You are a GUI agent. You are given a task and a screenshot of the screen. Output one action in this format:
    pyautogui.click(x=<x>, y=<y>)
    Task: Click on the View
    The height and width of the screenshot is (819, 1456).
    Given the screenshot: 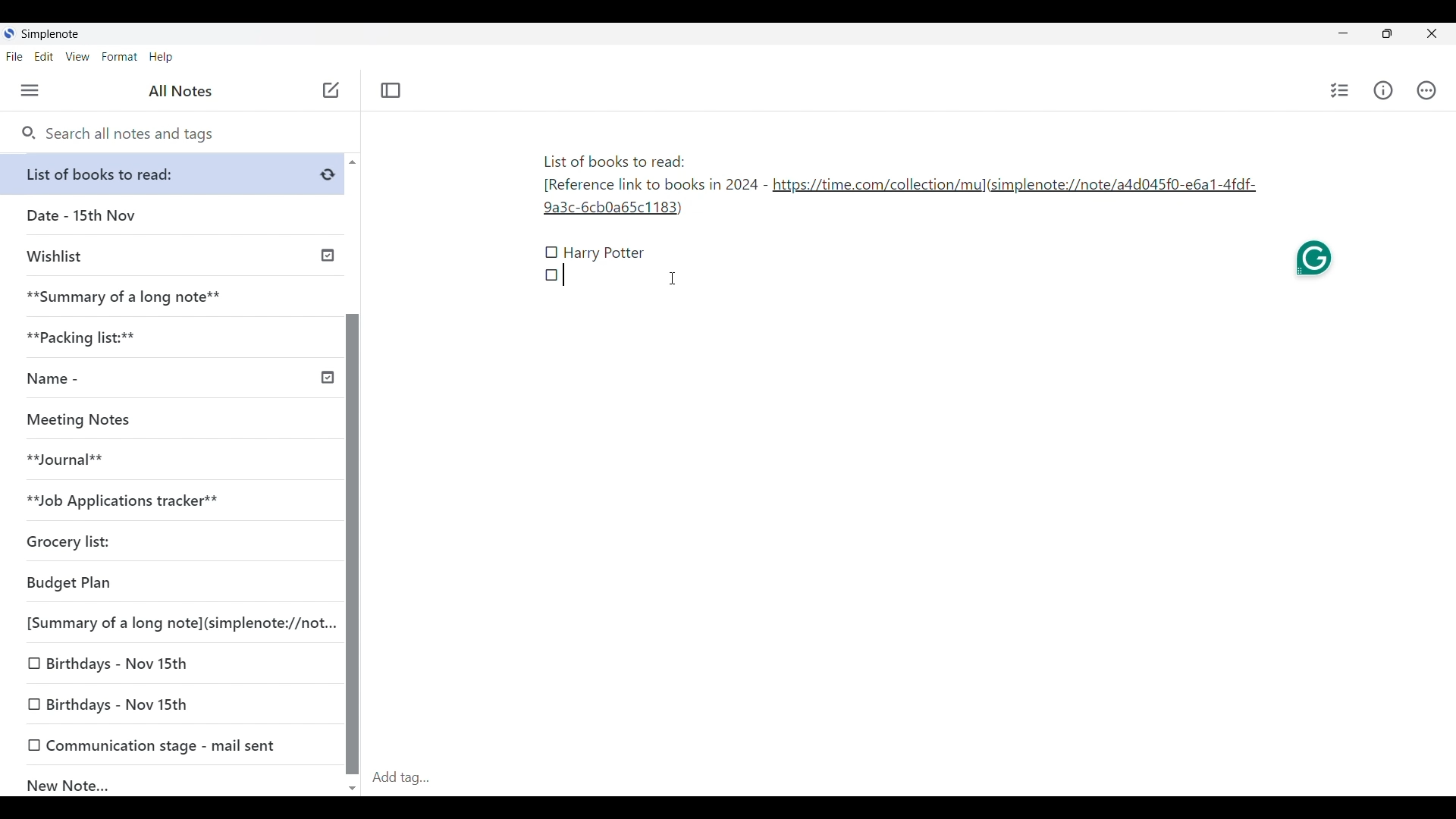 What is the action you would take?
    pyautogui.click(x=78, y=57)
    